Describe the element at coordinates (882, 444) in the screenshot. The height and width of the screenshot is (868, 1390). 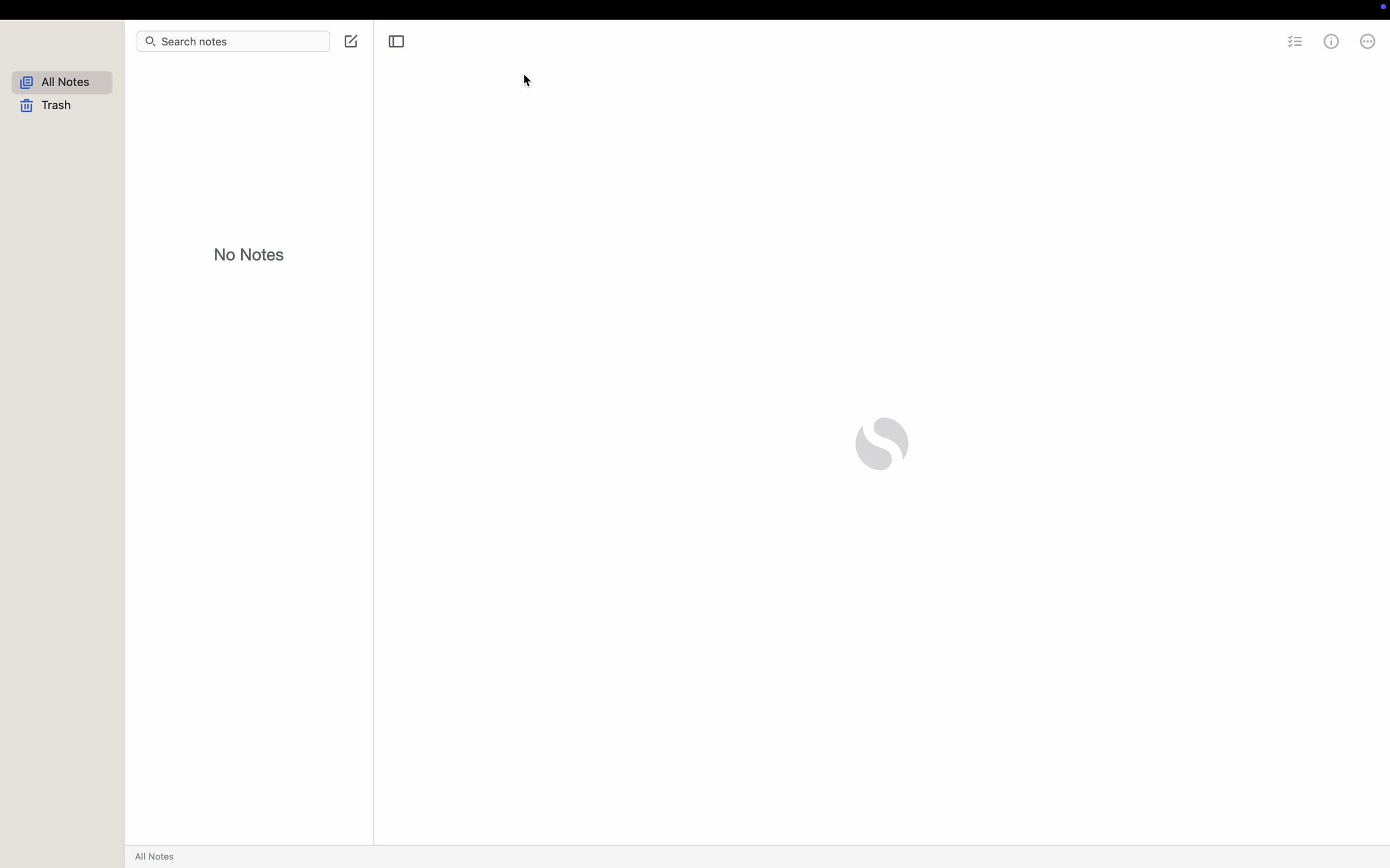
I see `Simplenote logo` at that location.